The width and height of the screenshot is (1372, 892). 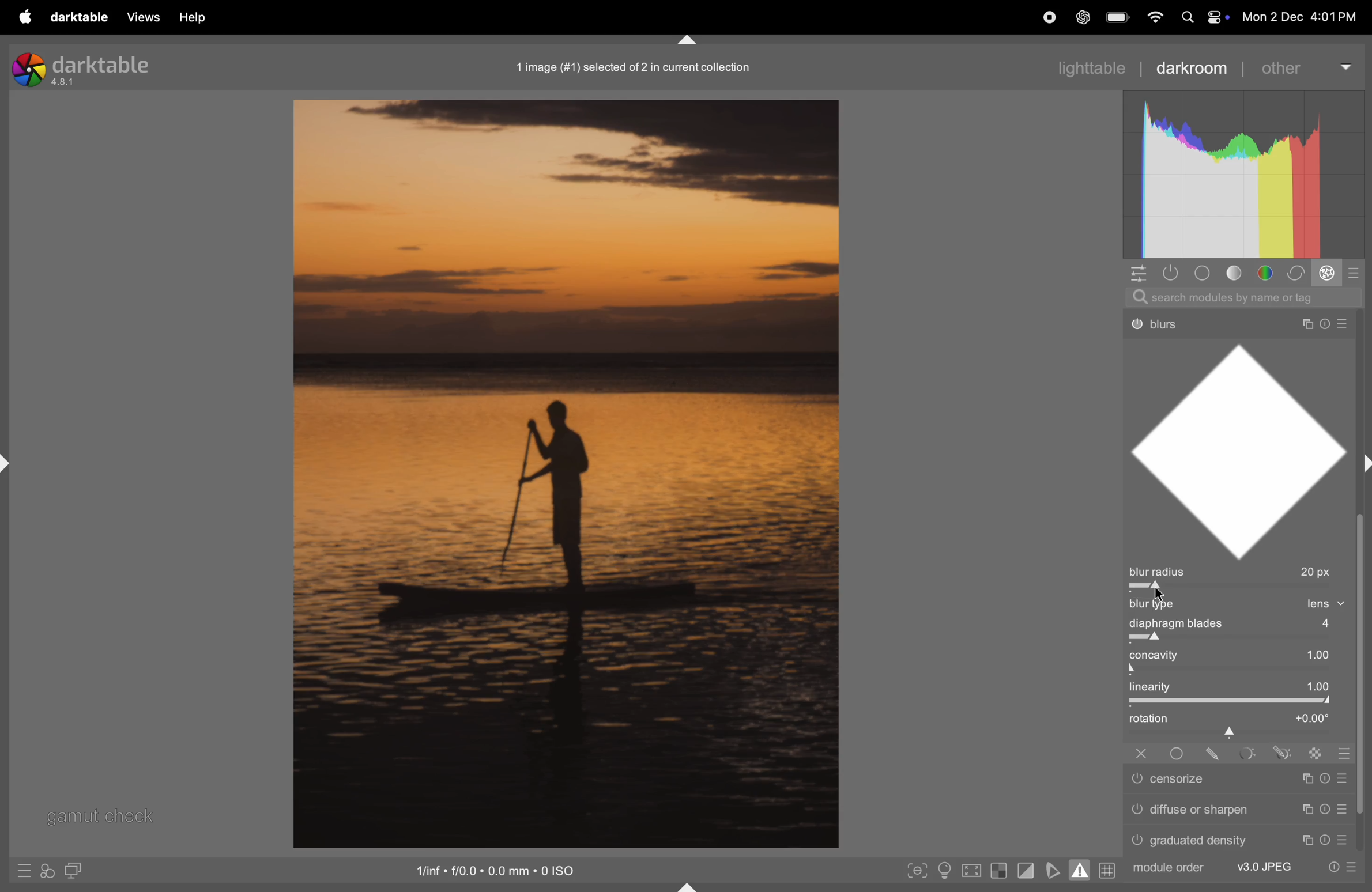 What do you see at coordinates (917, 871) in the screenshot?
I see `toggle peak focusing mode` at bounding box center [917, 871].